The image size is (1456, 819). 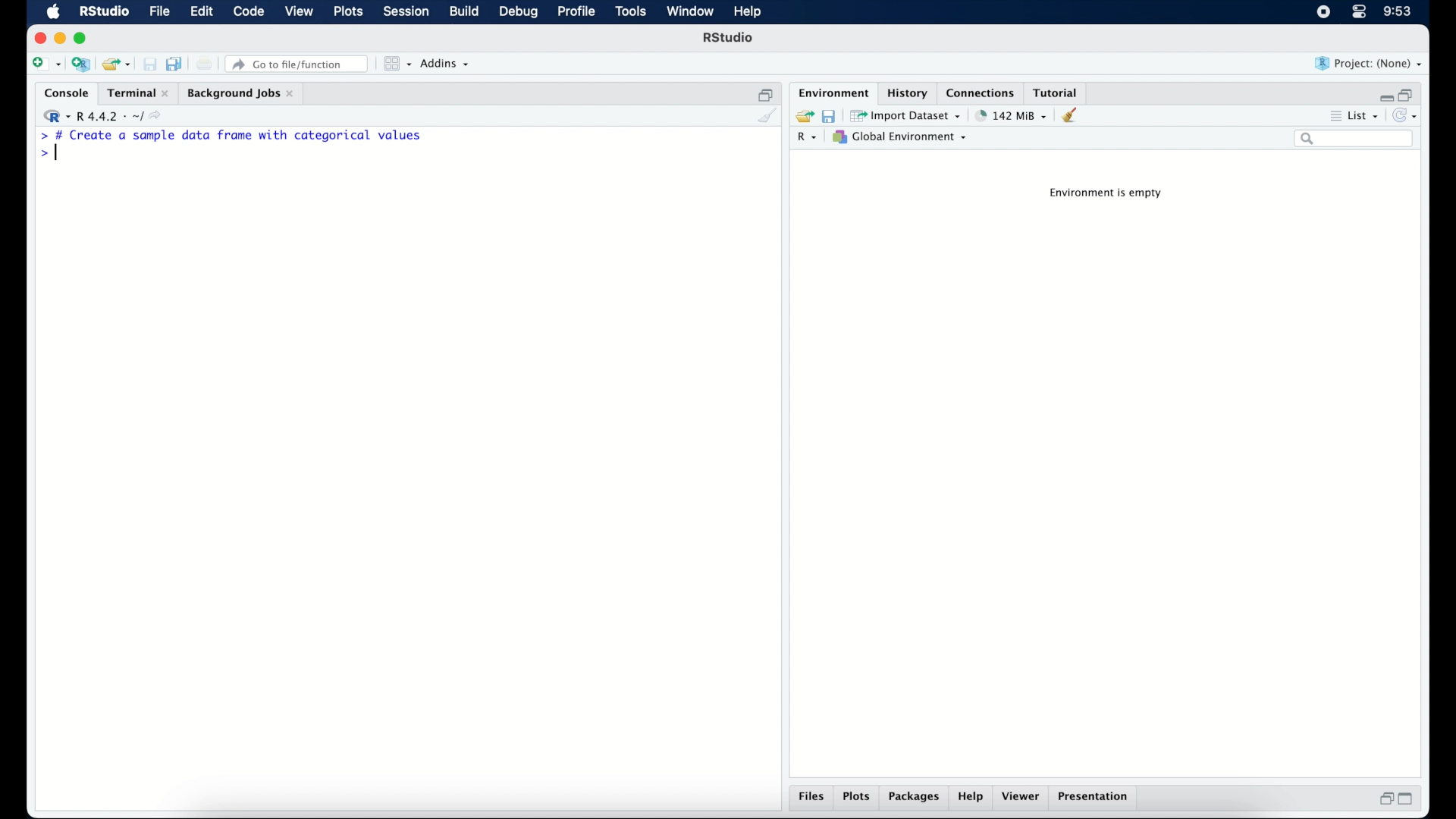 What do you see at coordinates (447, 64) in the screenshot?
I see `addins` at bounding box center [447, 64].